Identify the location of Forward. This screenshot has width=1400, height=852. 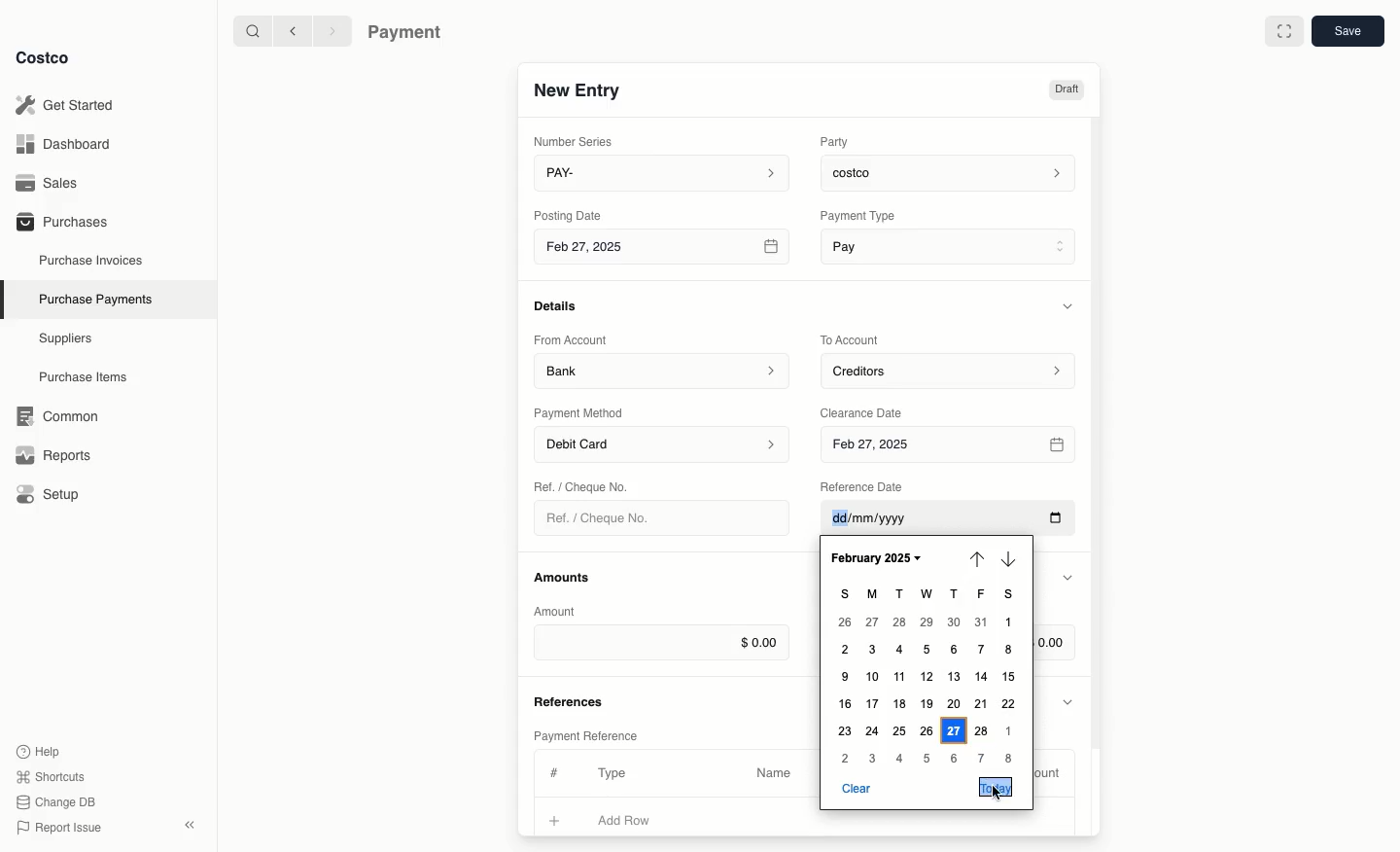
(331, 30).